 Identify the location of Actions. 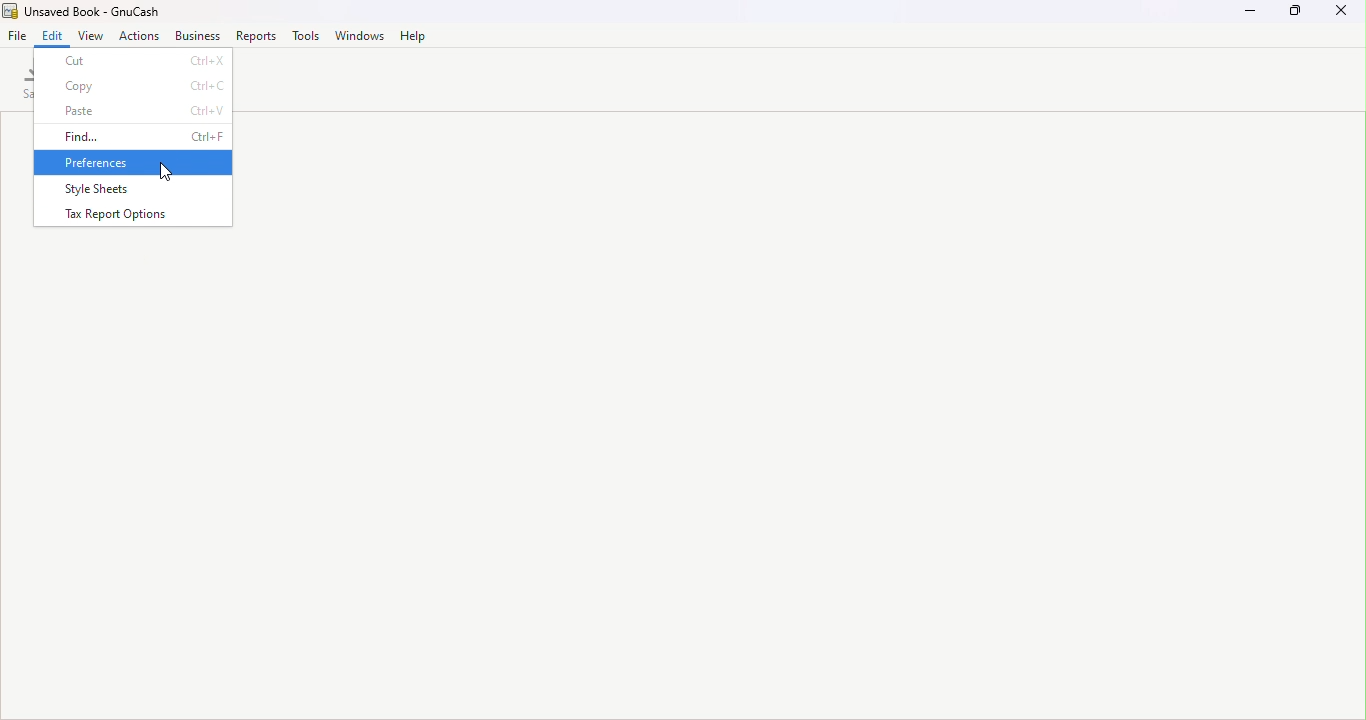
(140, 35).